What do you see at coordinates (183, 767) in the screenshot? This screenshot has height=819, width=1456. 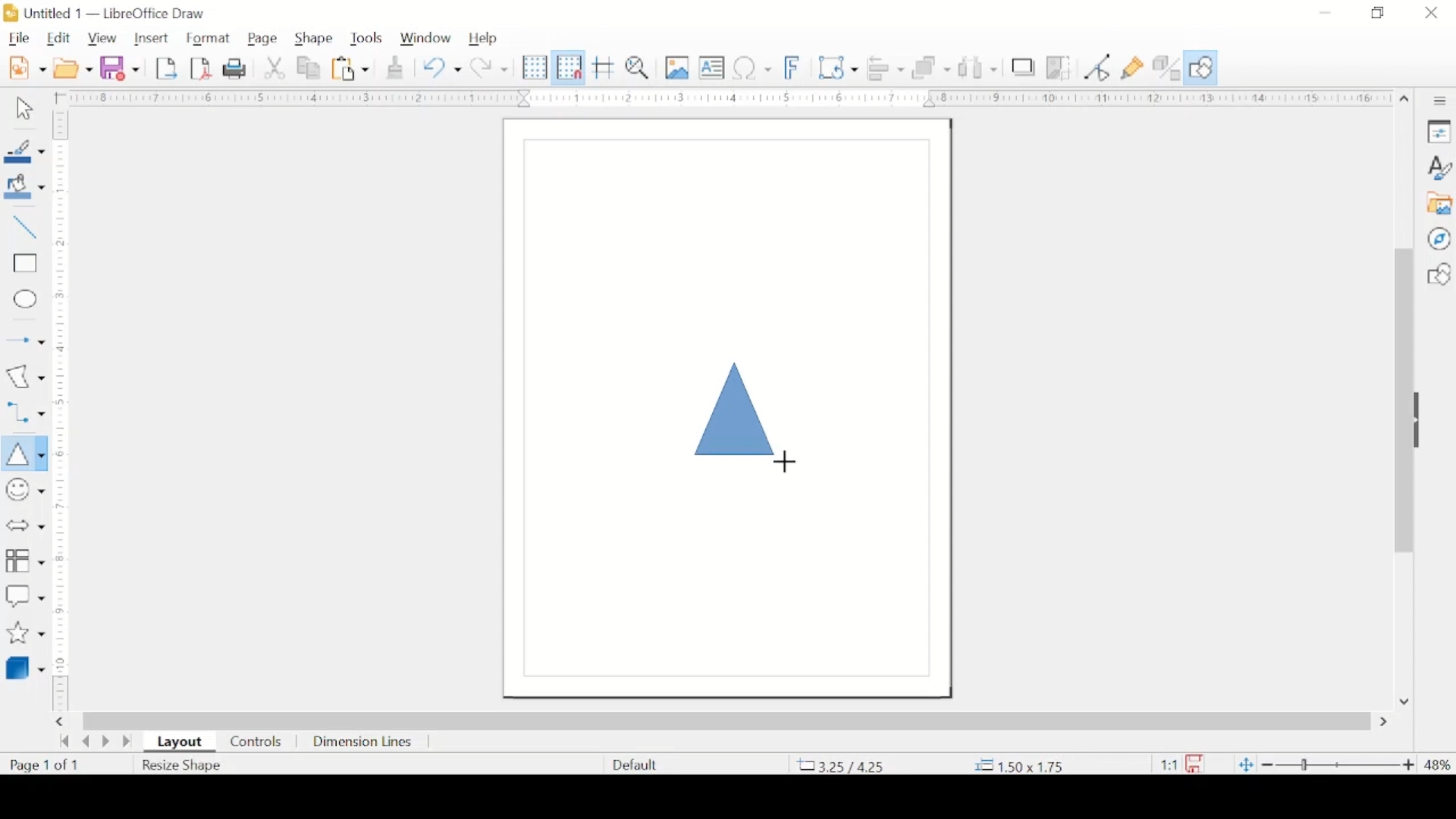 I see `resize shape` at bounding box center [183, 767].